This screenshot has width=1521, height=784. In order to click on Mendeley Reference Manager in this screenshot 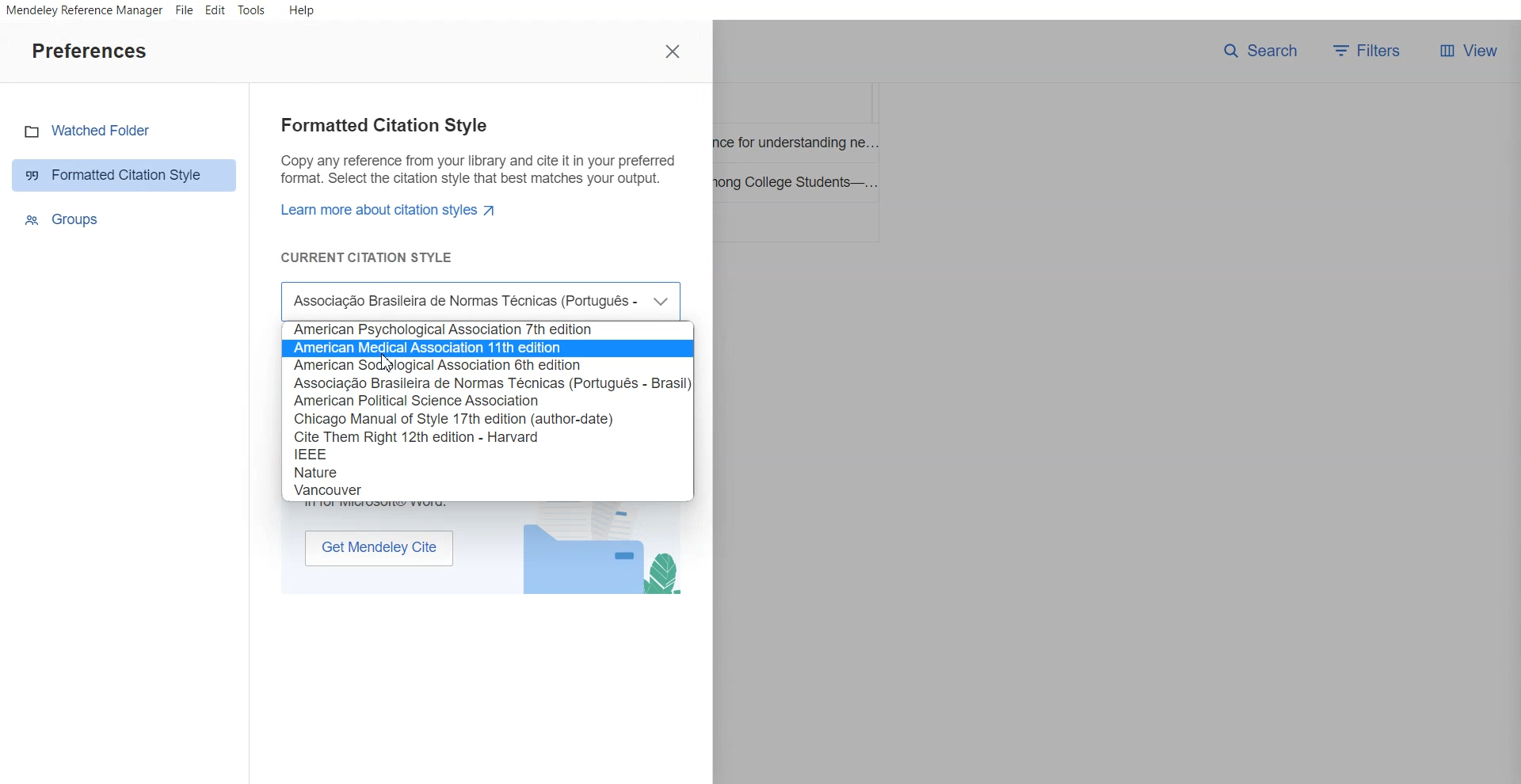, I will do `click(83, 11)`.